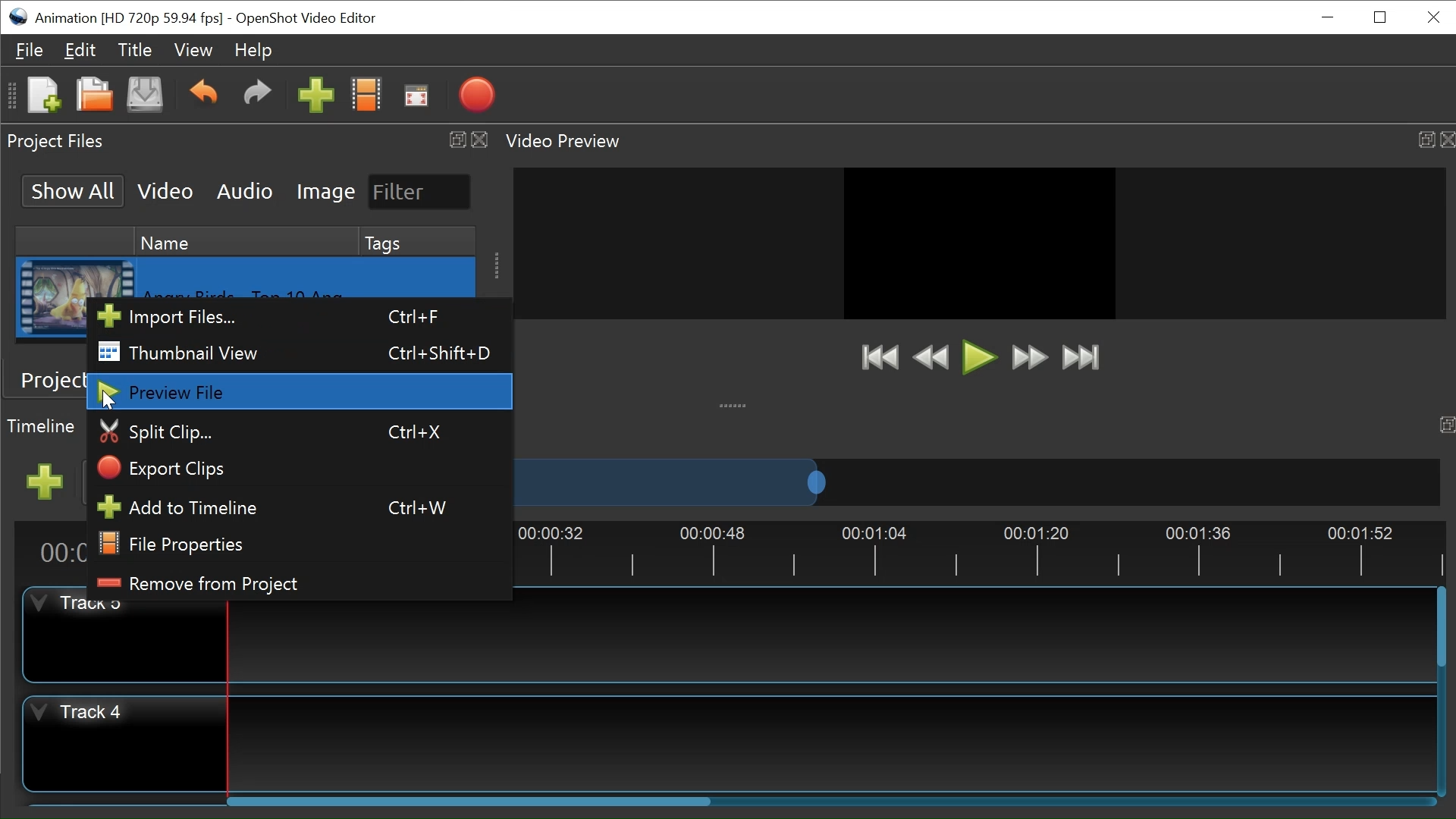 This screenshot has height=819, width=1456. I want to click on Track Panel, so click(833, 739).